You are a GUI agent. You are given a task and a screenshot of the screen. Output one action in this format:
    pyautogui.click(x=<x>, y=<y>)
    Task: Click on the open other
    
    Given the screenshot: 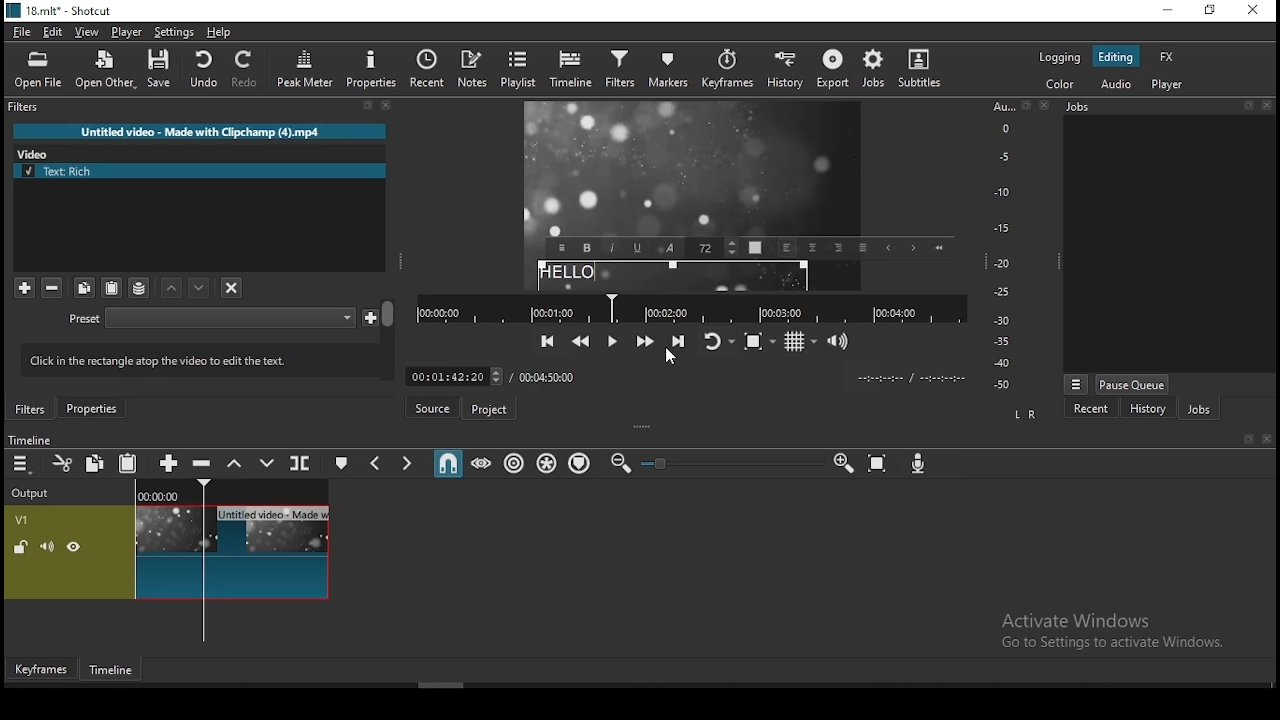 What is the action you would take?
    pyautogui.click(x=104, y=70)
    